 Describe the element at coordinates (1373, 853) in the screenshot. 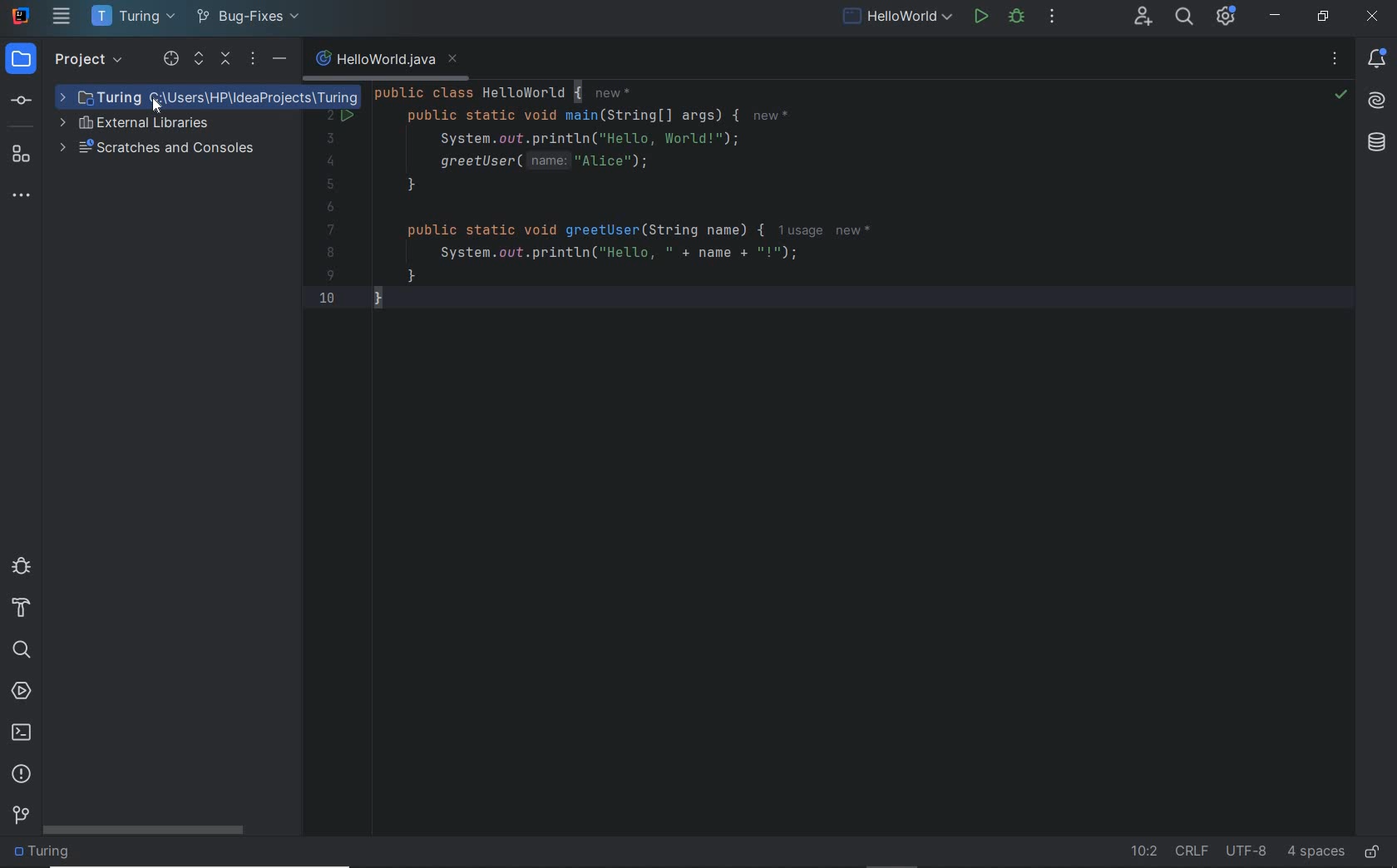

I see `make file ready only` at that location.